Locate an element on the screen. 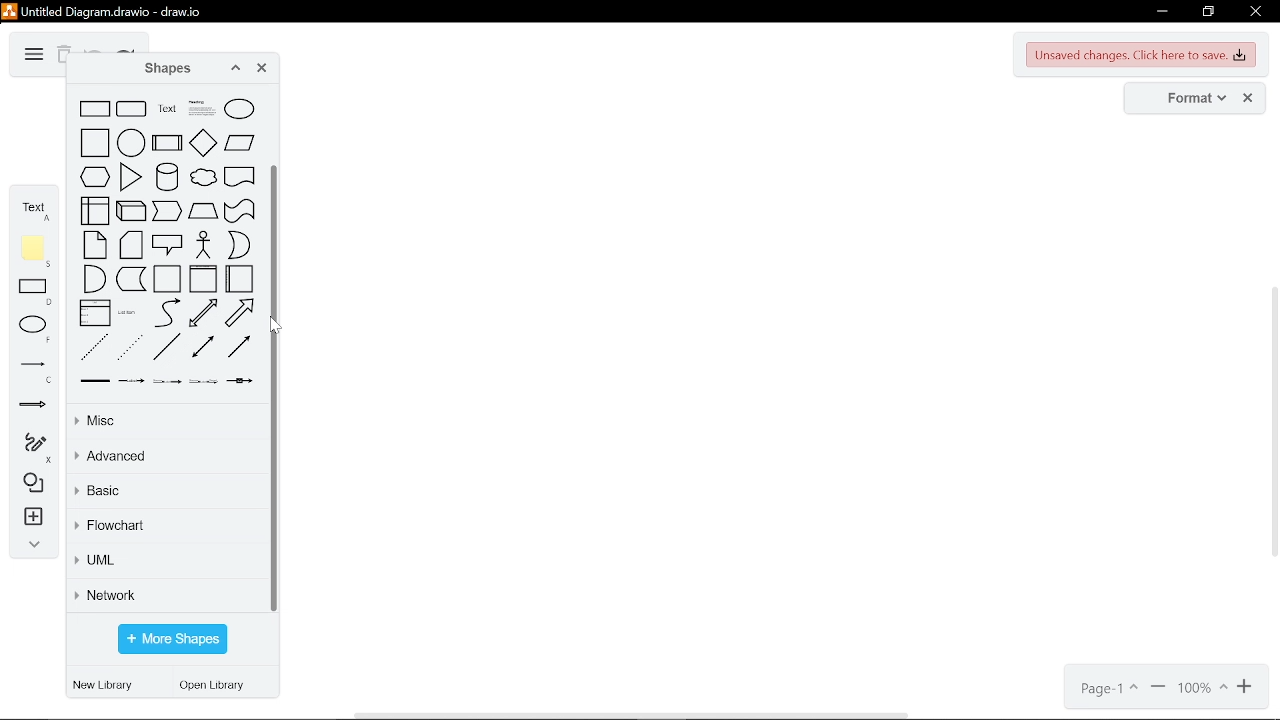 This screenshot has width=1280, height=720. rounded rectangle is located at coordinates (132, 109).